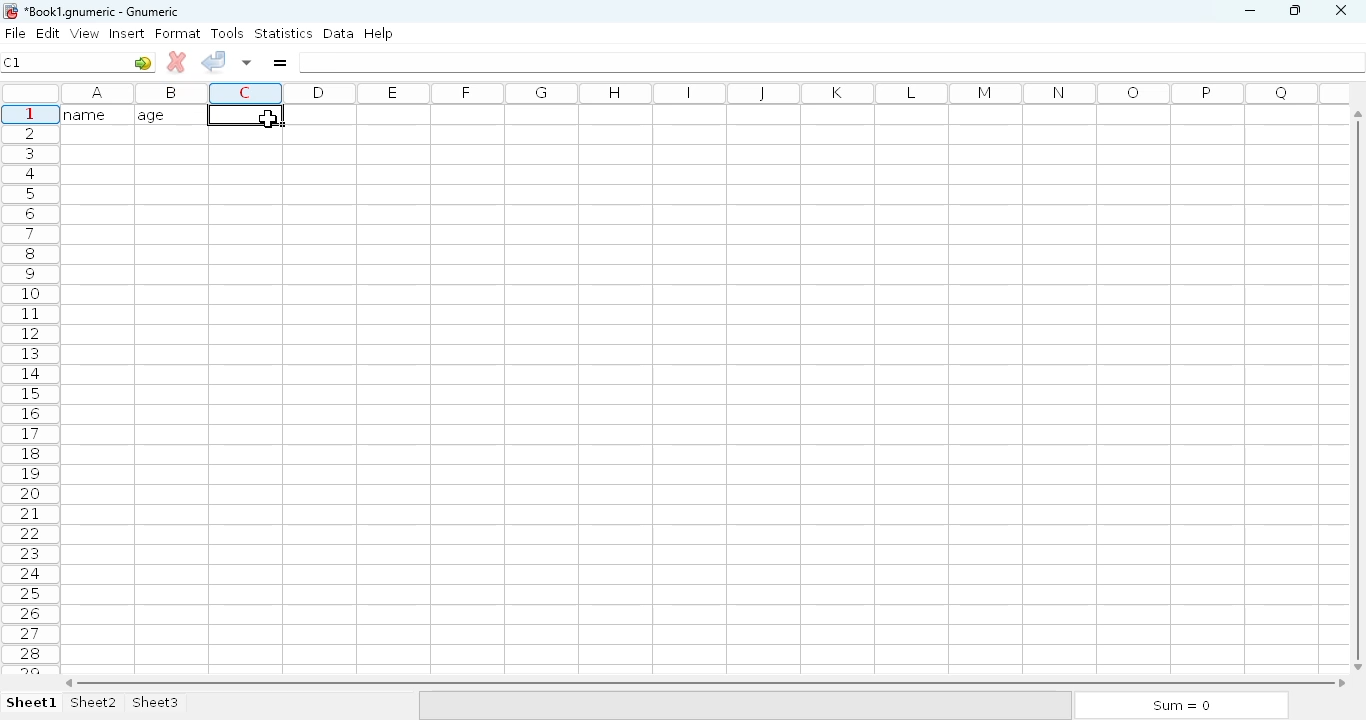 The height and width of the screenshot is (720, 1366). What do you see at coordinates (91, 114) in the screenshot?
I see `name (heading)` at bounding box center [91, 114].